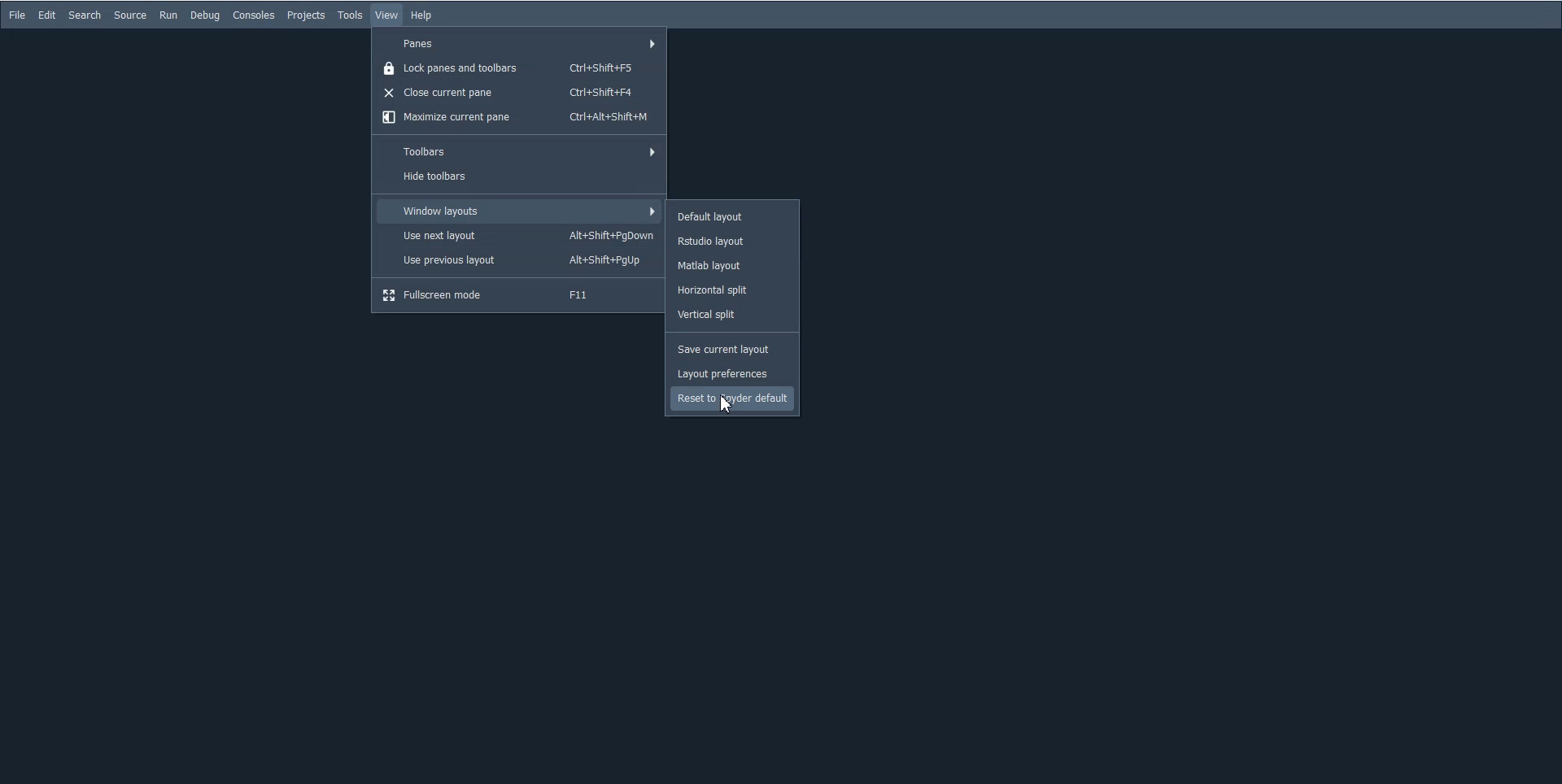 Image resolution: width=1562 pixels, height=784 pixels. Describe the element at coordinates (387, 15) in the screenshot. I see `View` at that location.